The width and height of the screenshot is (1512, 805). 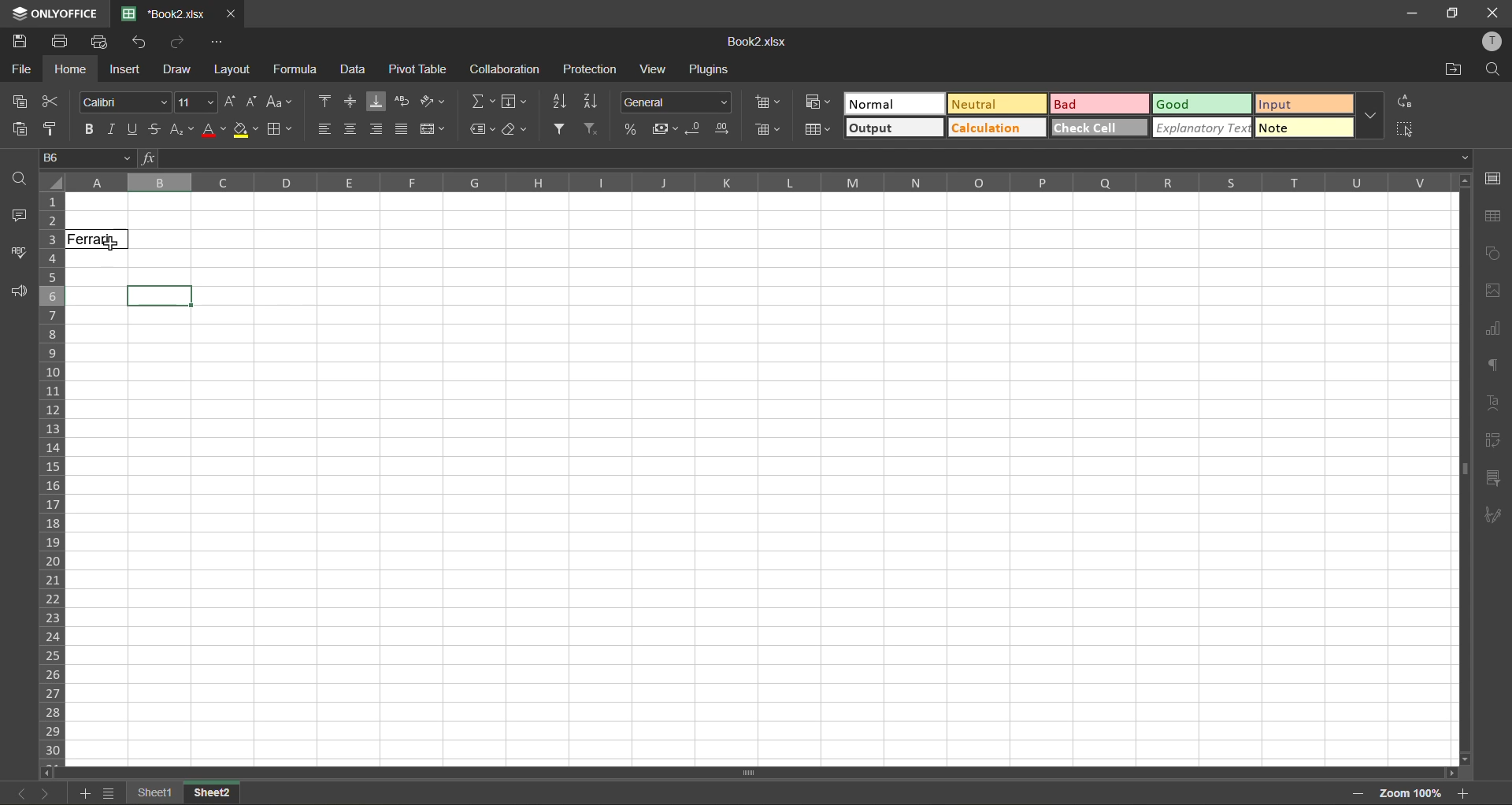 I want to click on scroll down, so click(x=1466, y=759).